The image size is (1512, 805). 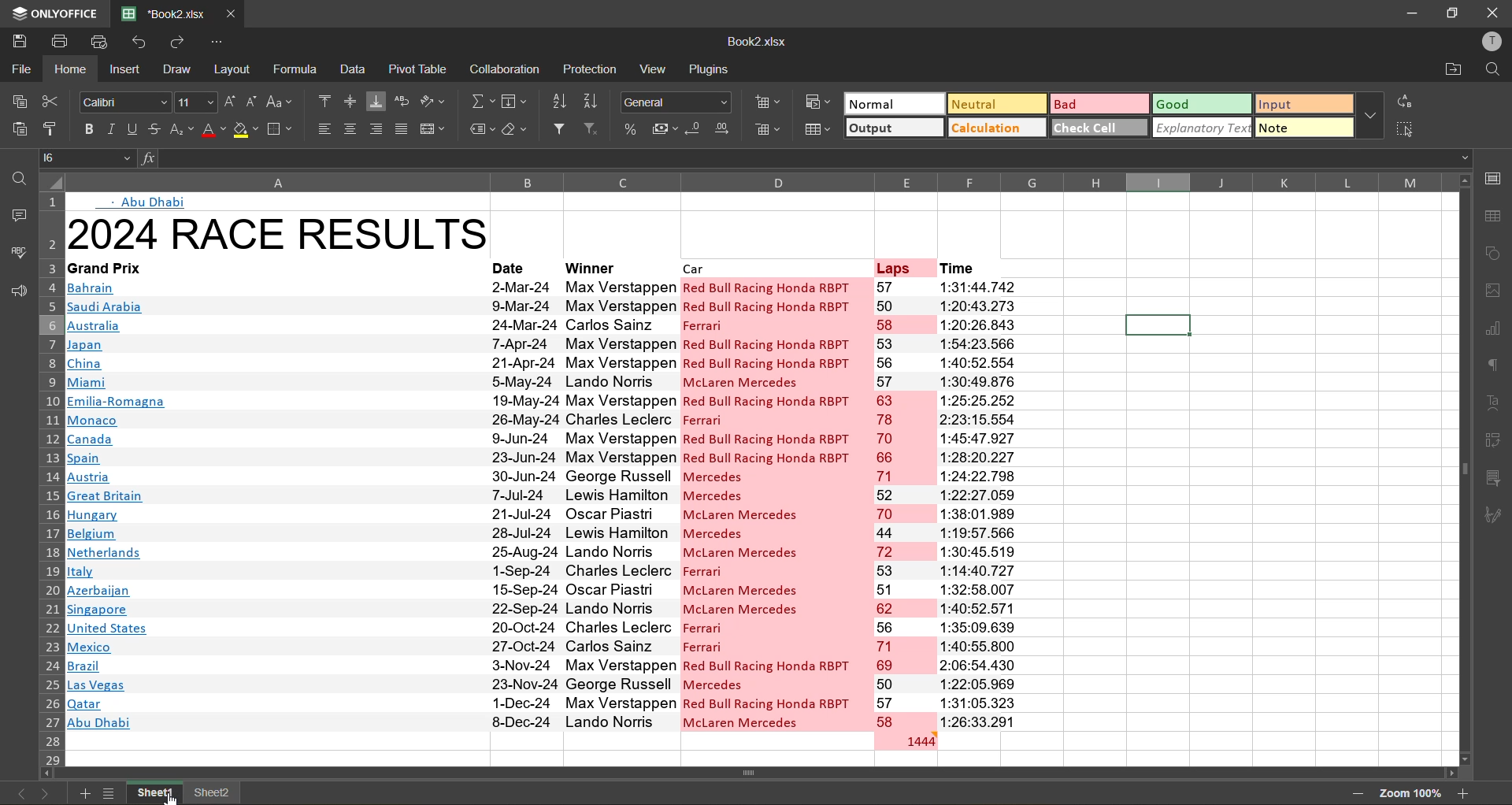 I want to click on slicer, so click(x=1493, y=477).